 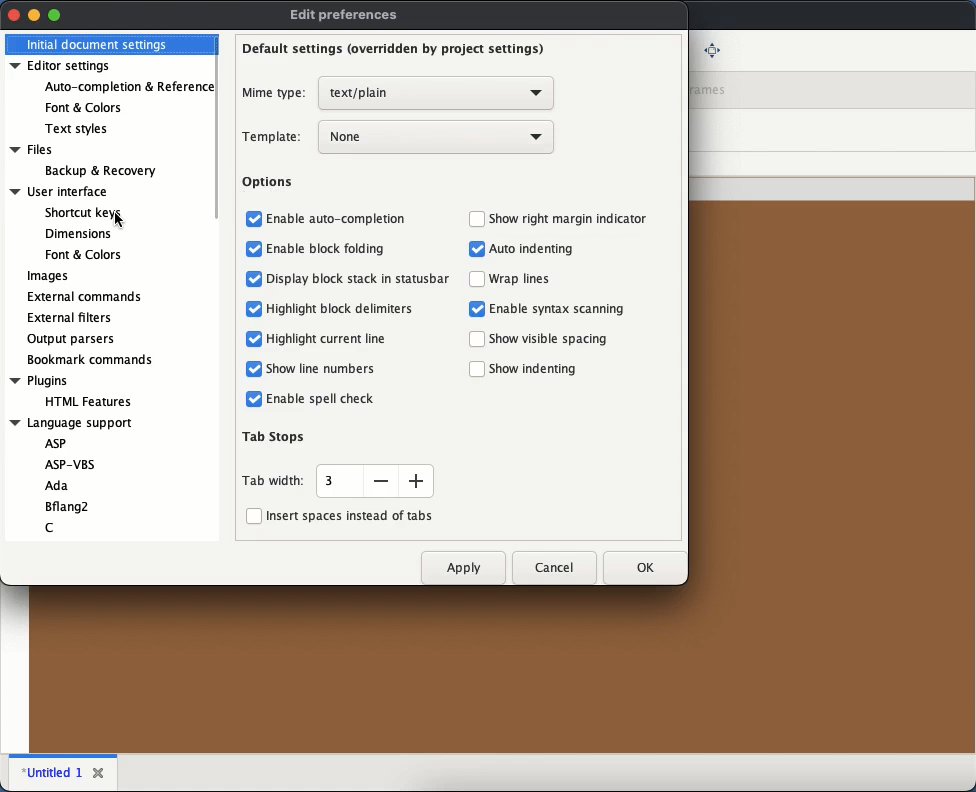 I want to click on -, so click(x=381, y=480).